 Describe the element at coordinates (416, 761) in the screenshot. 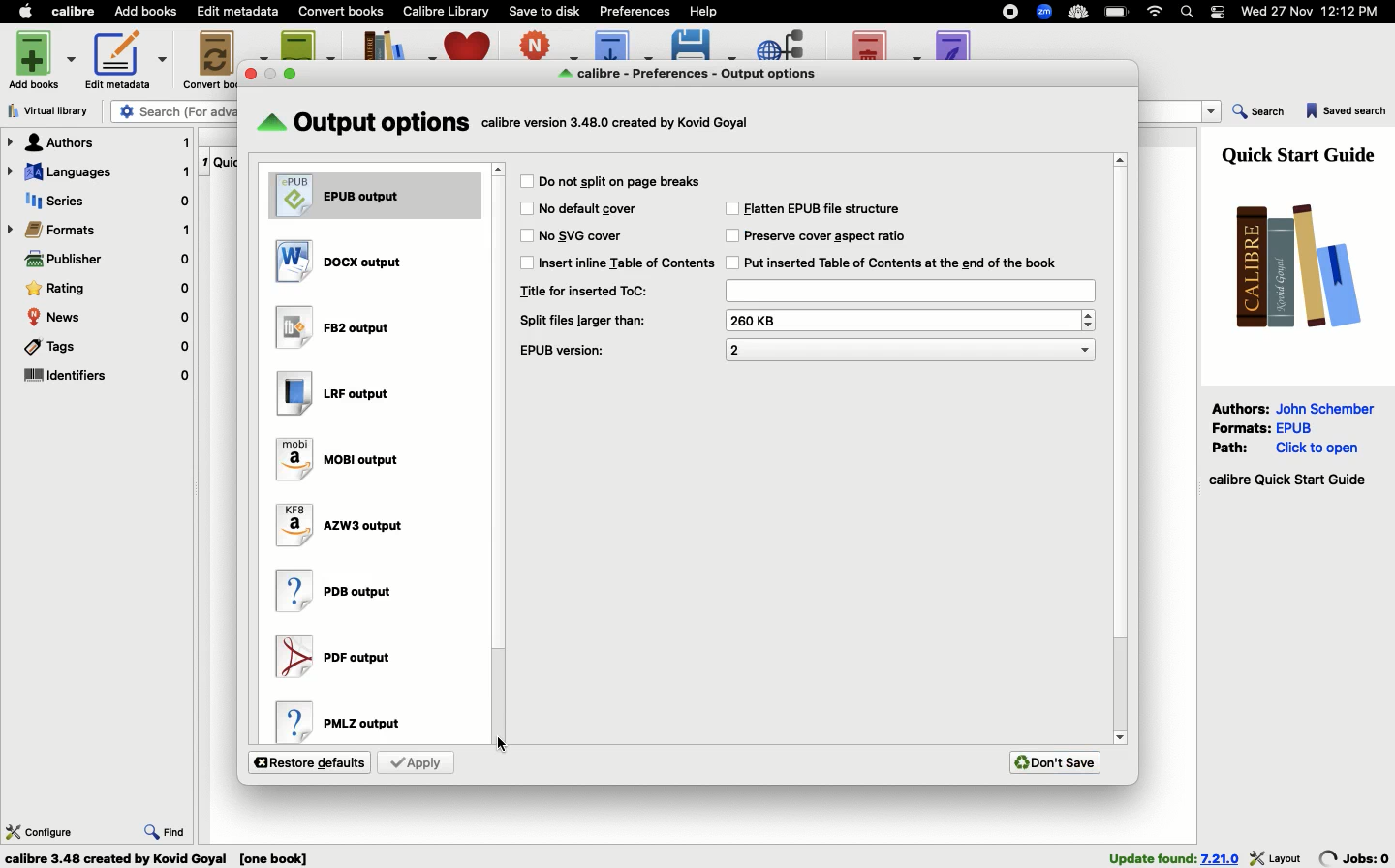

I see `Apply` at that location.